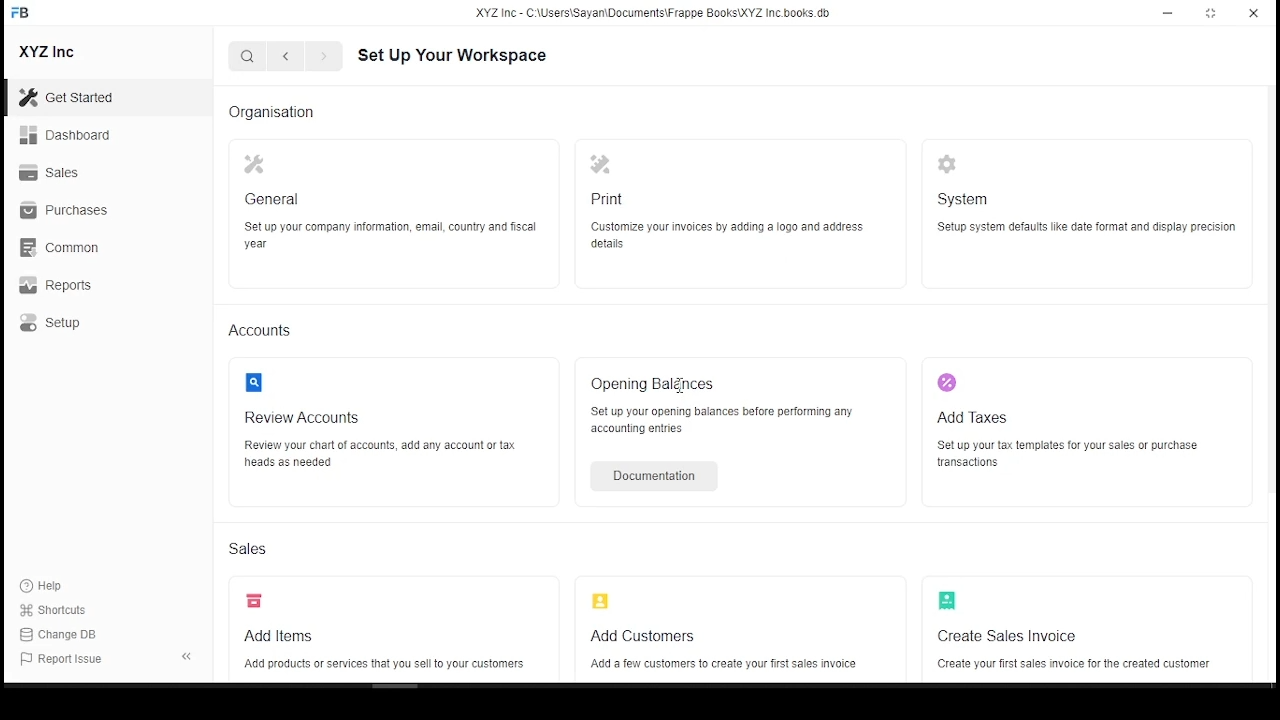 The image size is (1280, 720). Describe the element at coordinates (965, 198) in the screenshot. I see `system` at that location.